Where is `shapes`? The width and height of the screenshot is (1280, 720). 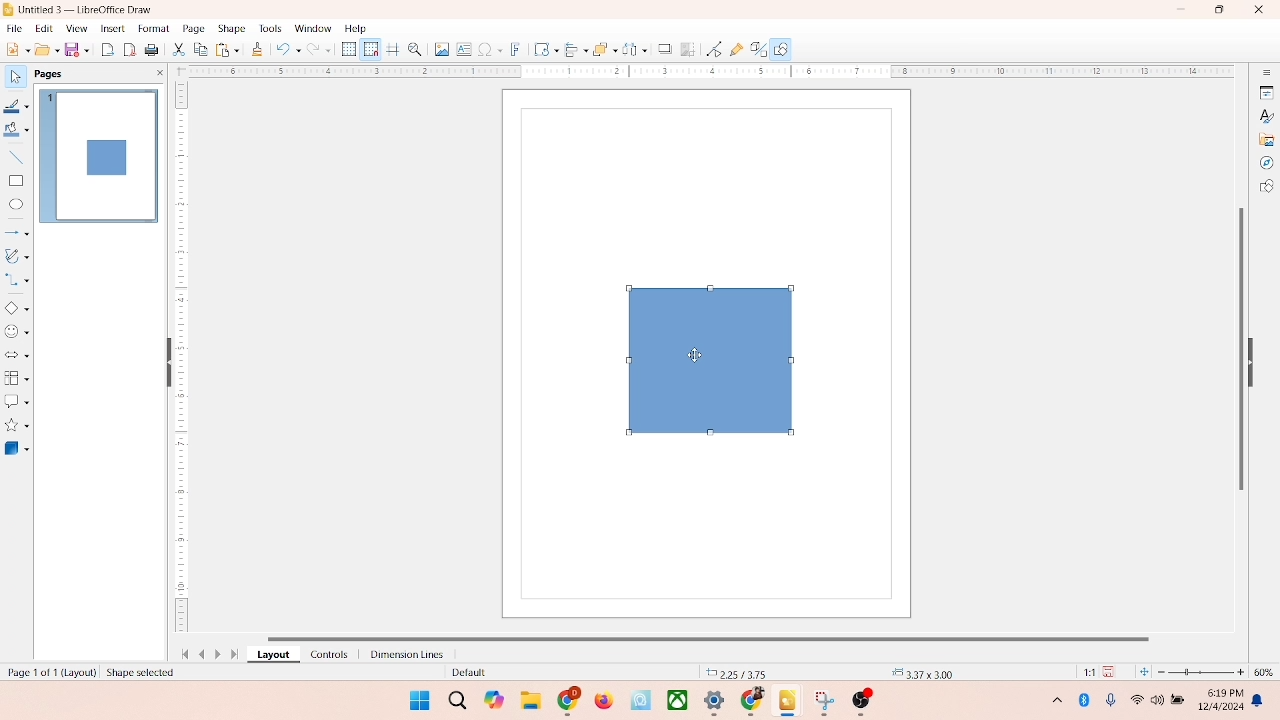
shapes is located at coordinates (706, 359).